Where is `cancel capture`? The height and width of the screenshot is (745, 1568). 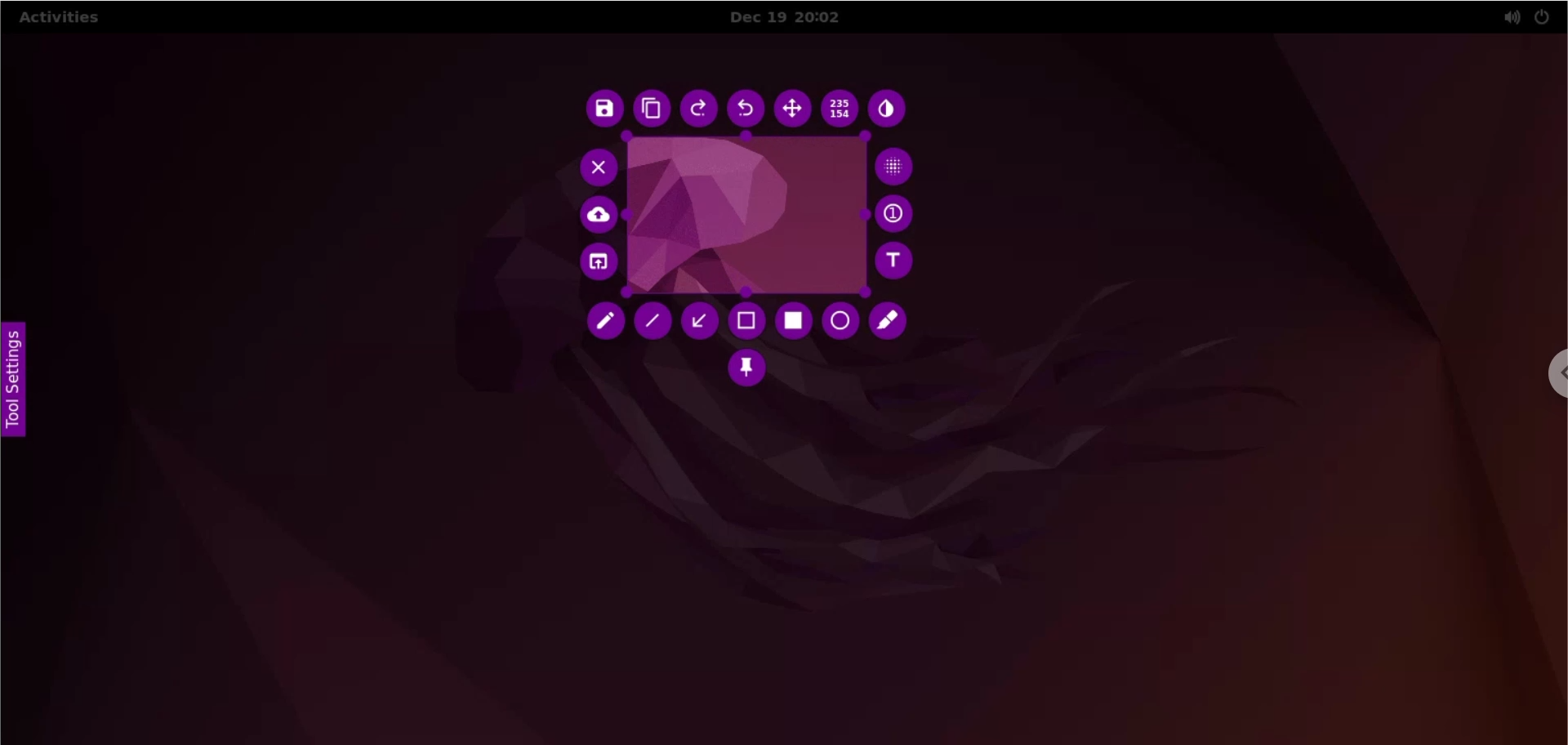 cancel capture is located at coordinates (599, 167).